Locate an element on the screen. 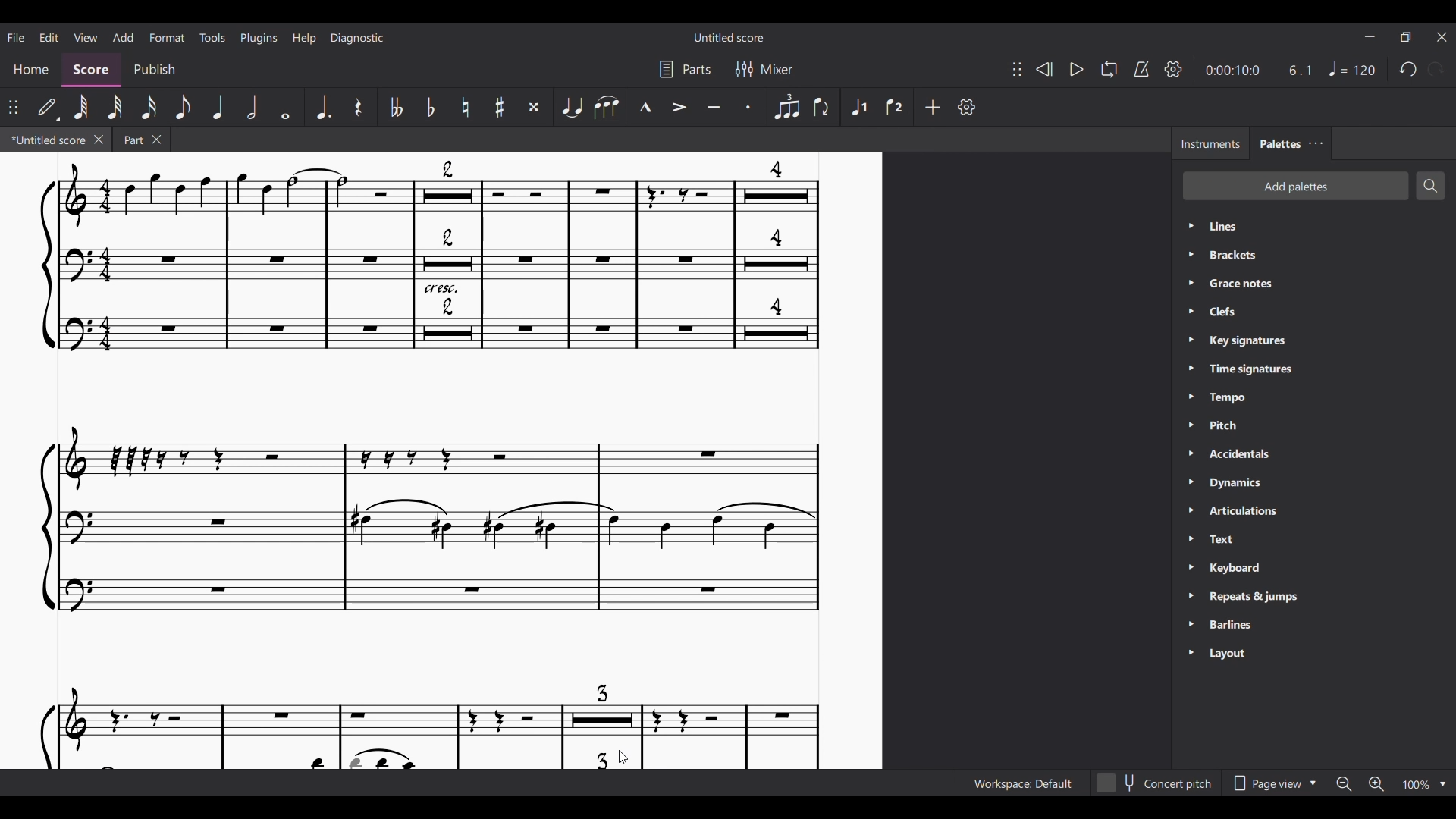 The width and height of the screenshot is (1456, 819). Score name is located at coordinates (730, 36).